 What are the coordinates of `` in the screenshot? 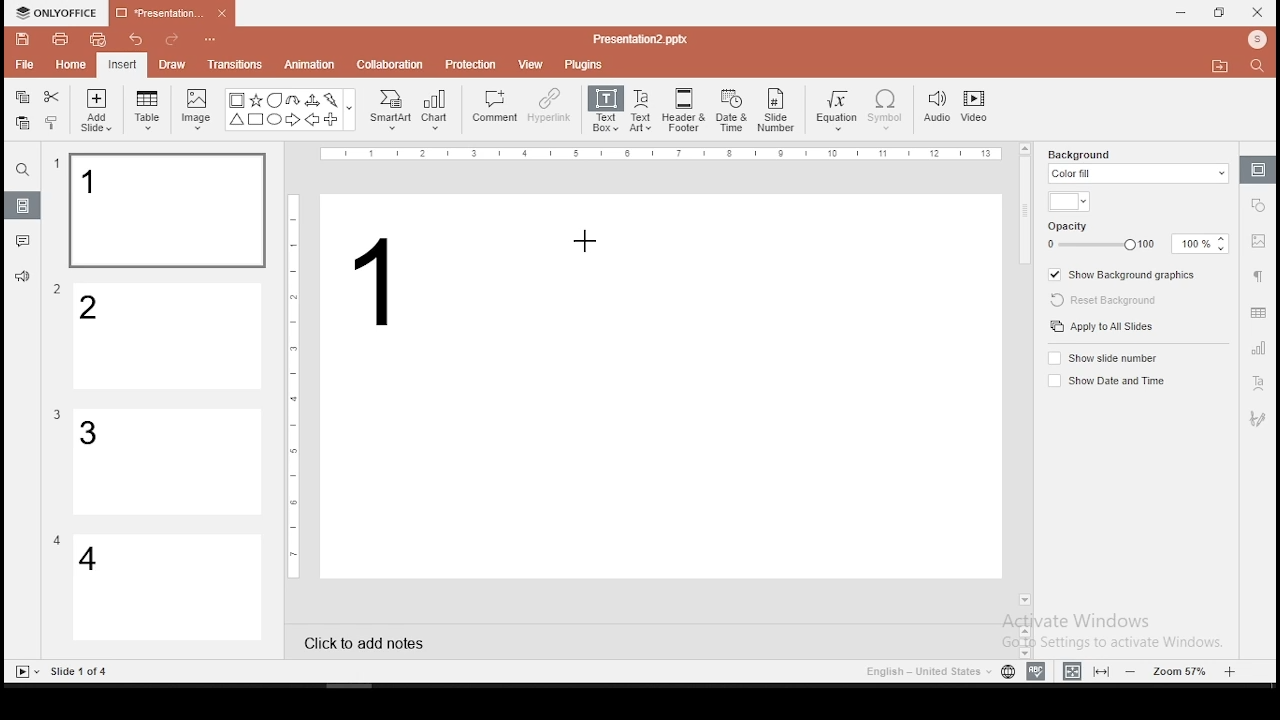 It's located at (57, 540).